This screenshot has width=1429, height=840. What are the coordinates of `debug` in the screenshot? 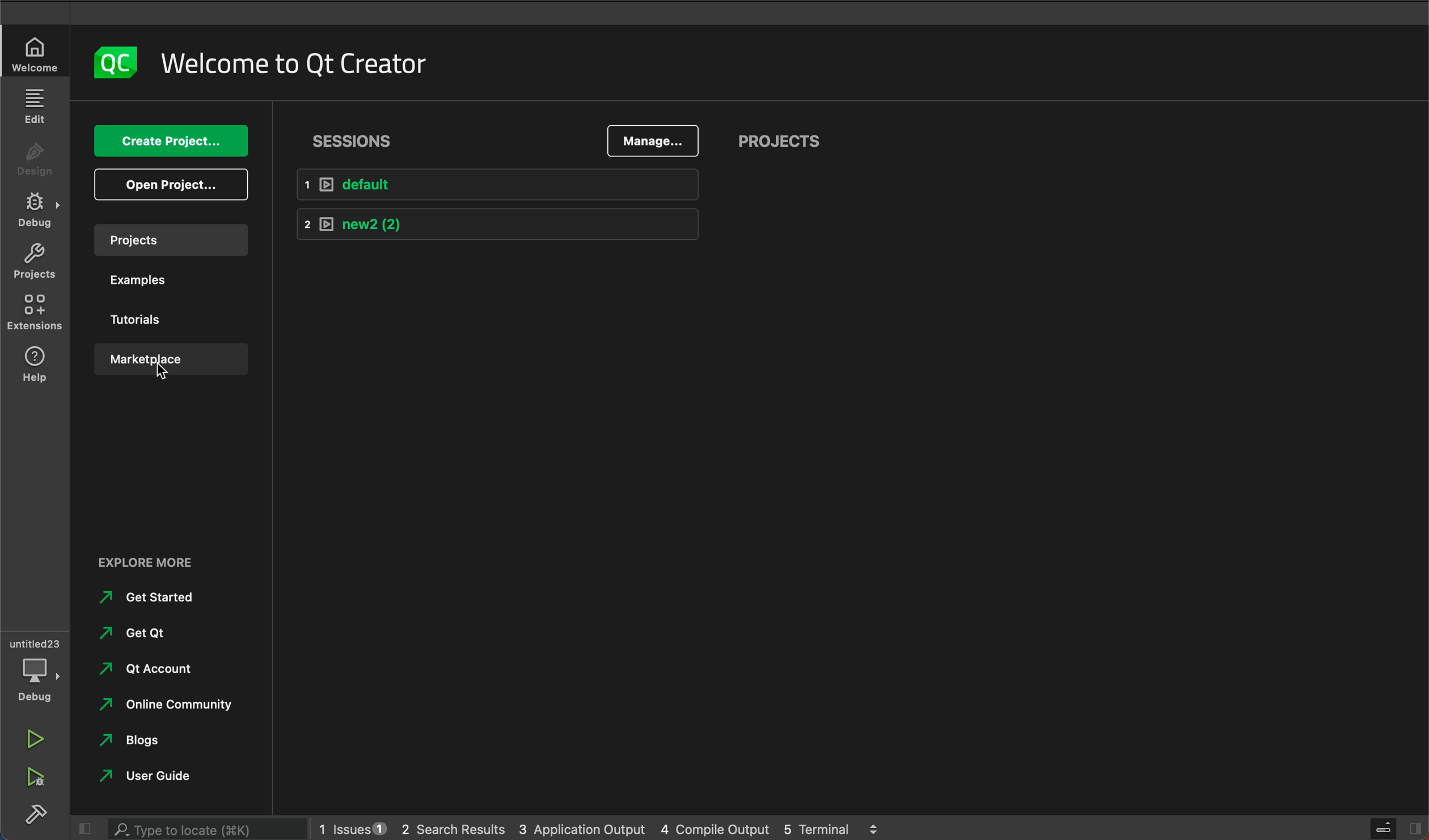 It's located at (36, 667).